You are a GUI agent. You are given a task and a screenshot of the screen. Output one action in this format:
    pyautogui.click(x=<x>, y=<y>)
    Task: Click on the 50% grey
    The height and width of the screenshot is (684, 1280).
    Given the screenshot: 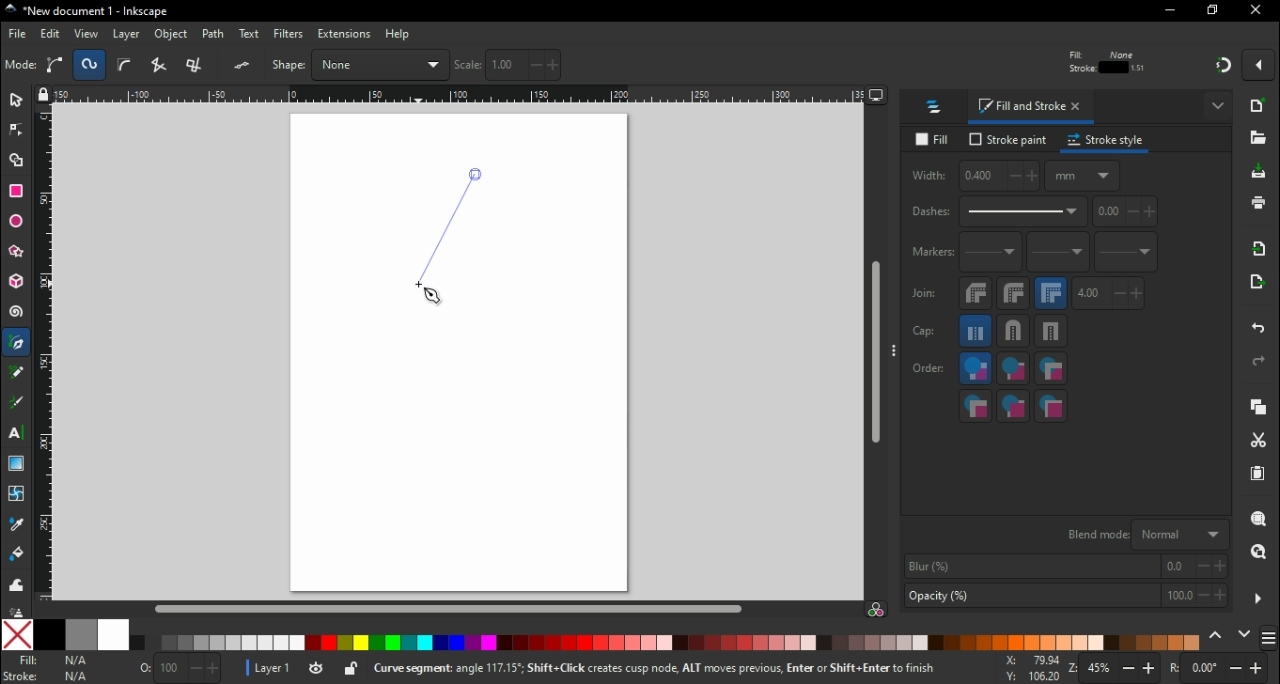 What is the action you would take?
    pyautogui.click(x=80, y=634)
    